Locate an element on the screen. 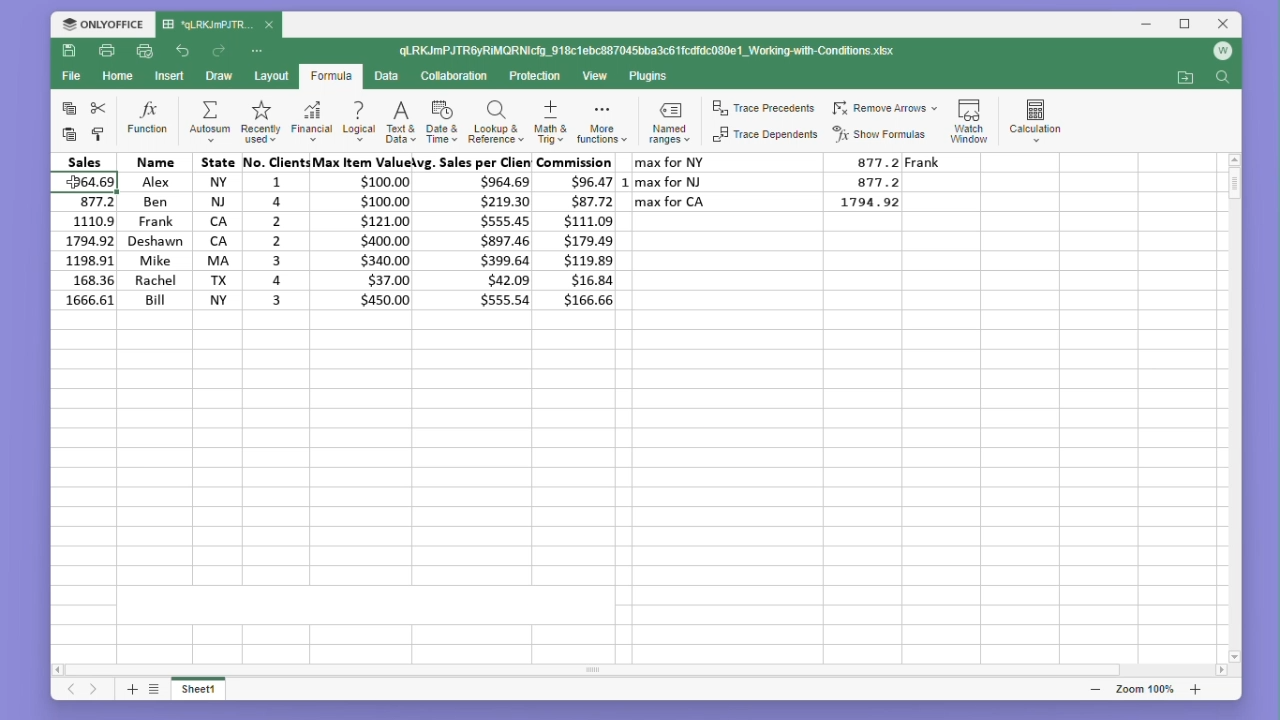 Image resolution: width=1280 pixels, height=720 pixels. Formula is located at coordinates (331, 77).